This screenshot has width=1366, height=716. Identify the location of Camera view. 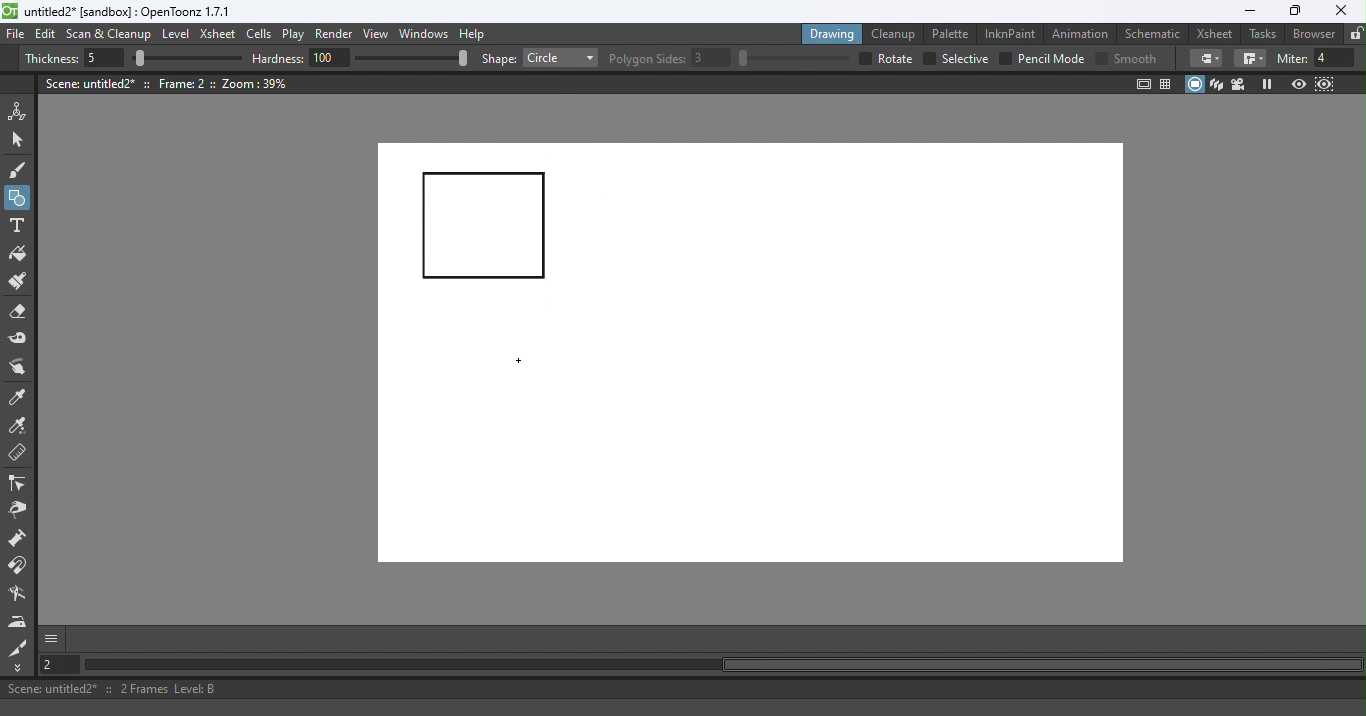
(1241, 83).